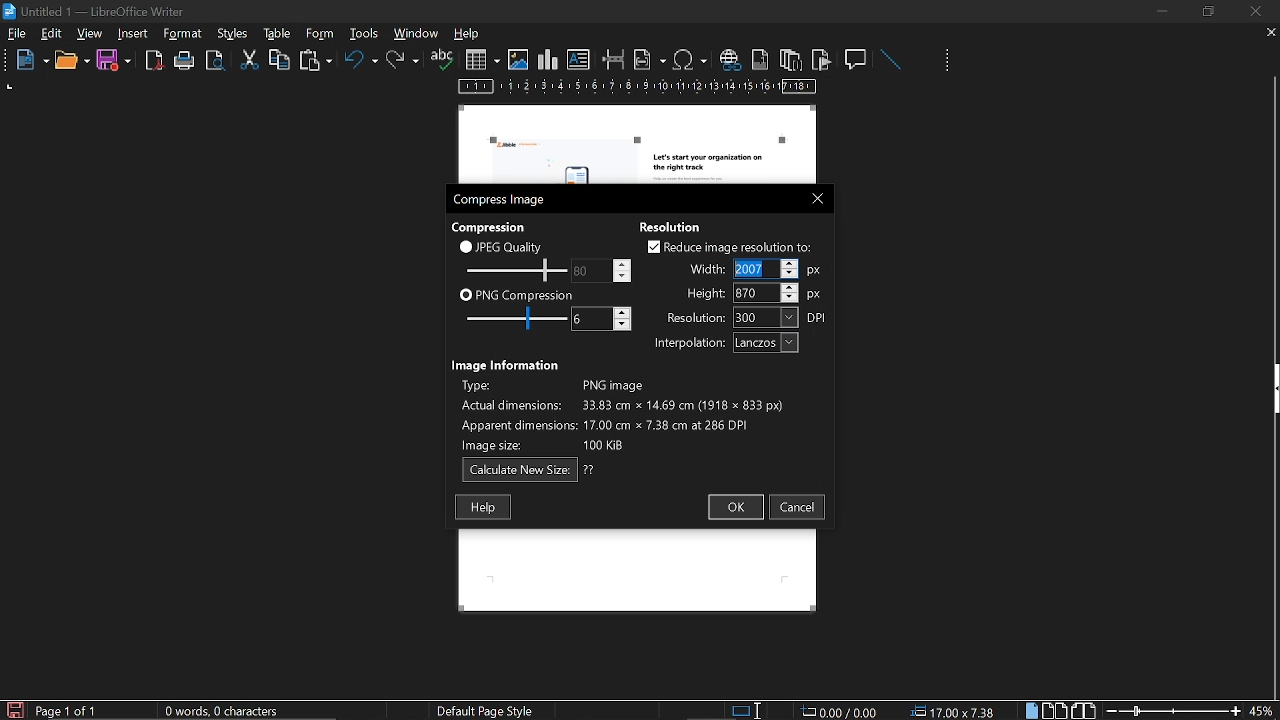  I want to click on change jpeg quality , so click(602, 270).